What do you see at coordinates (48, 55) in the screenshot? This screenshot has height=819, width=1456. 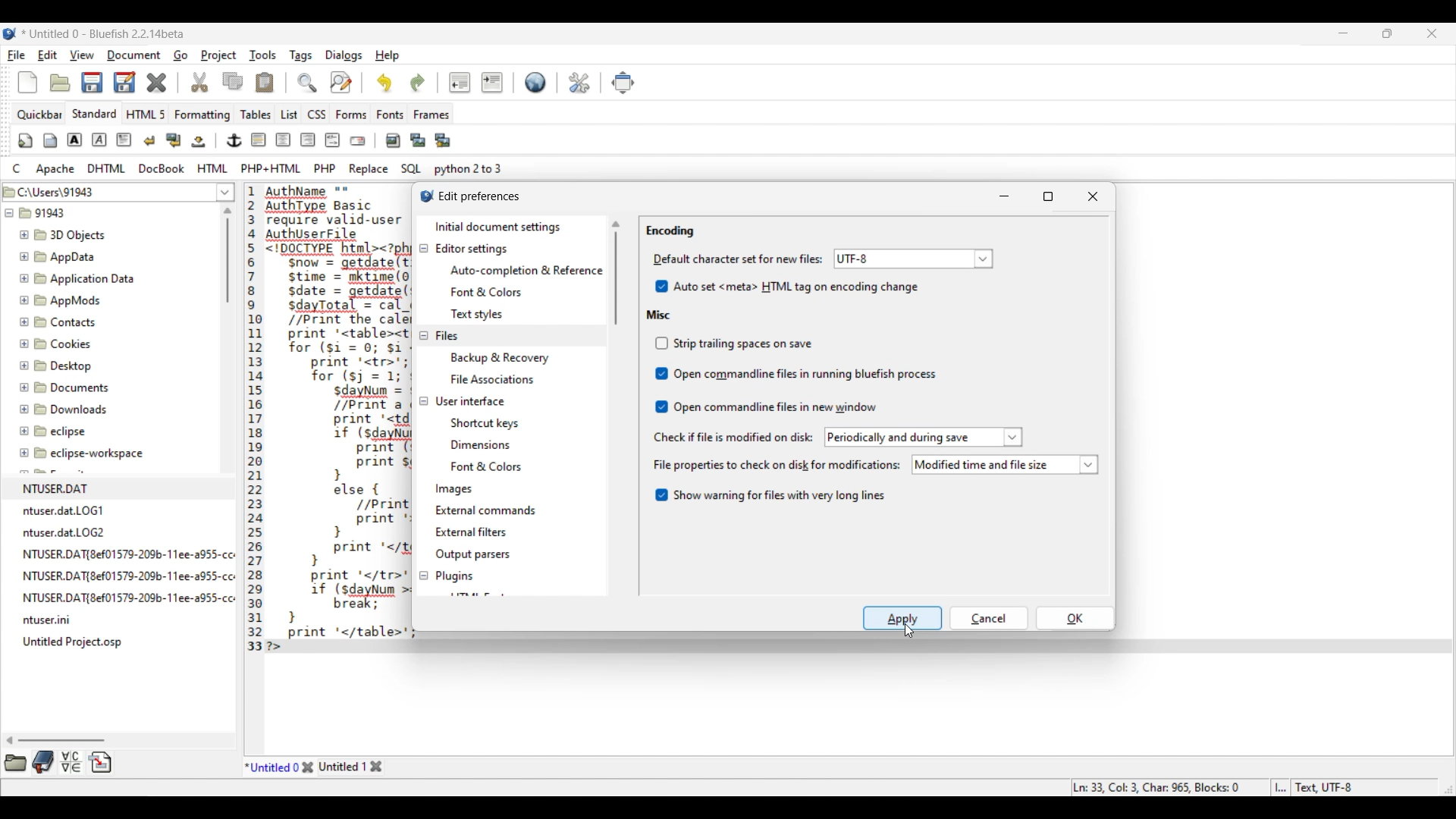 I see `Edit menu` at bounding box center [48, 55].